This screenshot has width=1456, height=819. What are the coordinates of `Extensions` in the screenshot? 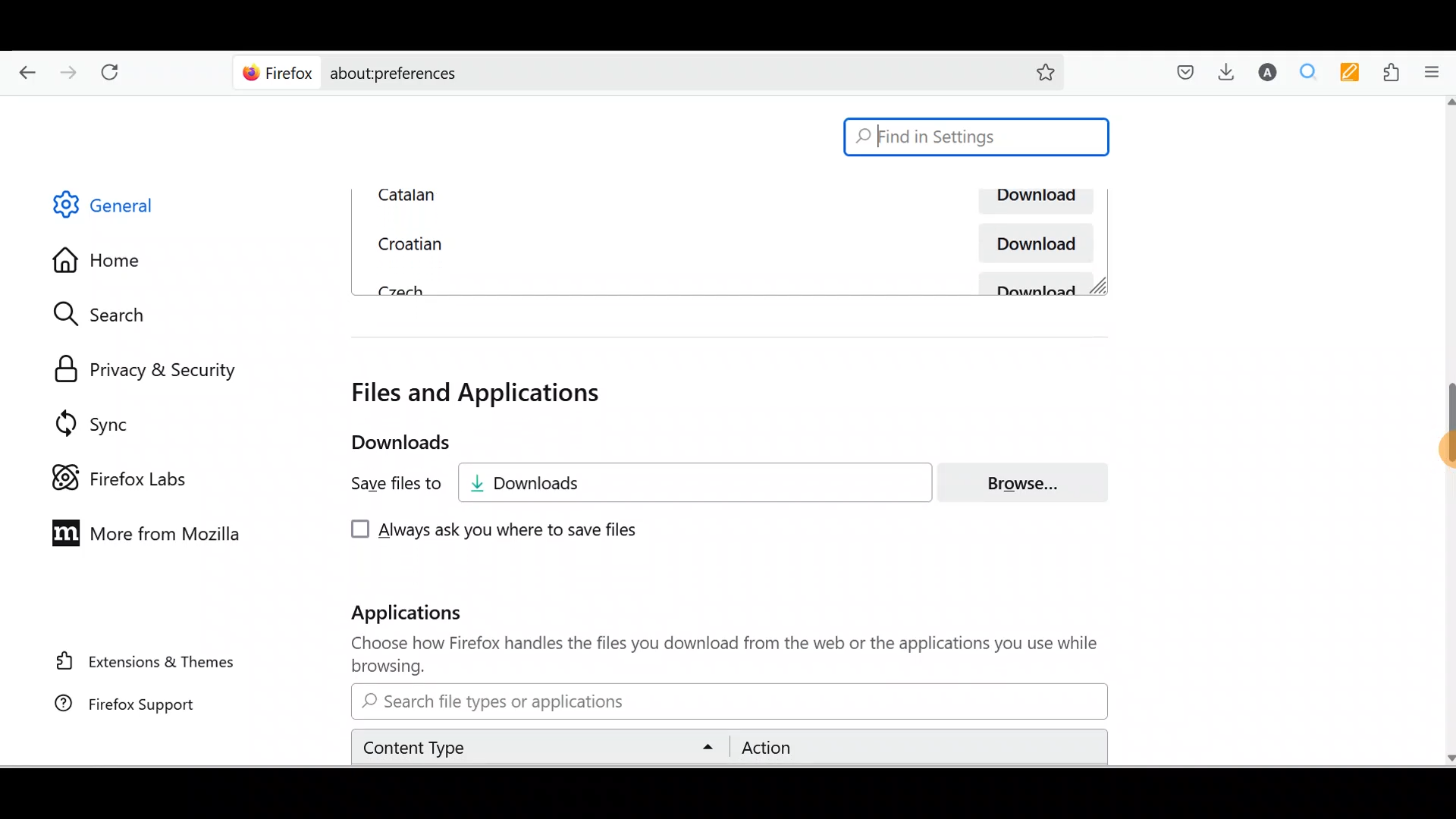 It's located at (1394, 71).